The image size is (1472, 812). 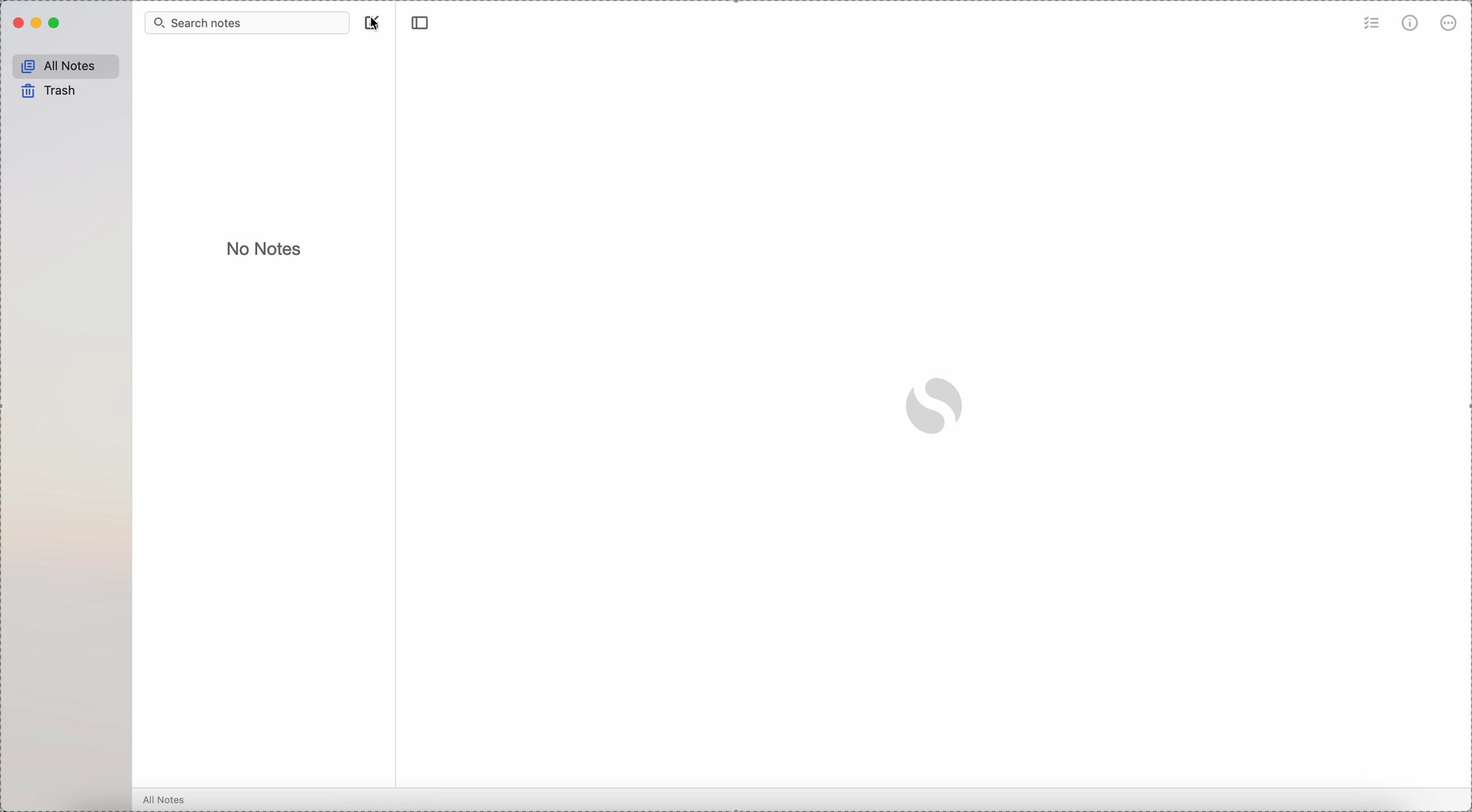 I want to click on minimize, so click(x=38, y=24).